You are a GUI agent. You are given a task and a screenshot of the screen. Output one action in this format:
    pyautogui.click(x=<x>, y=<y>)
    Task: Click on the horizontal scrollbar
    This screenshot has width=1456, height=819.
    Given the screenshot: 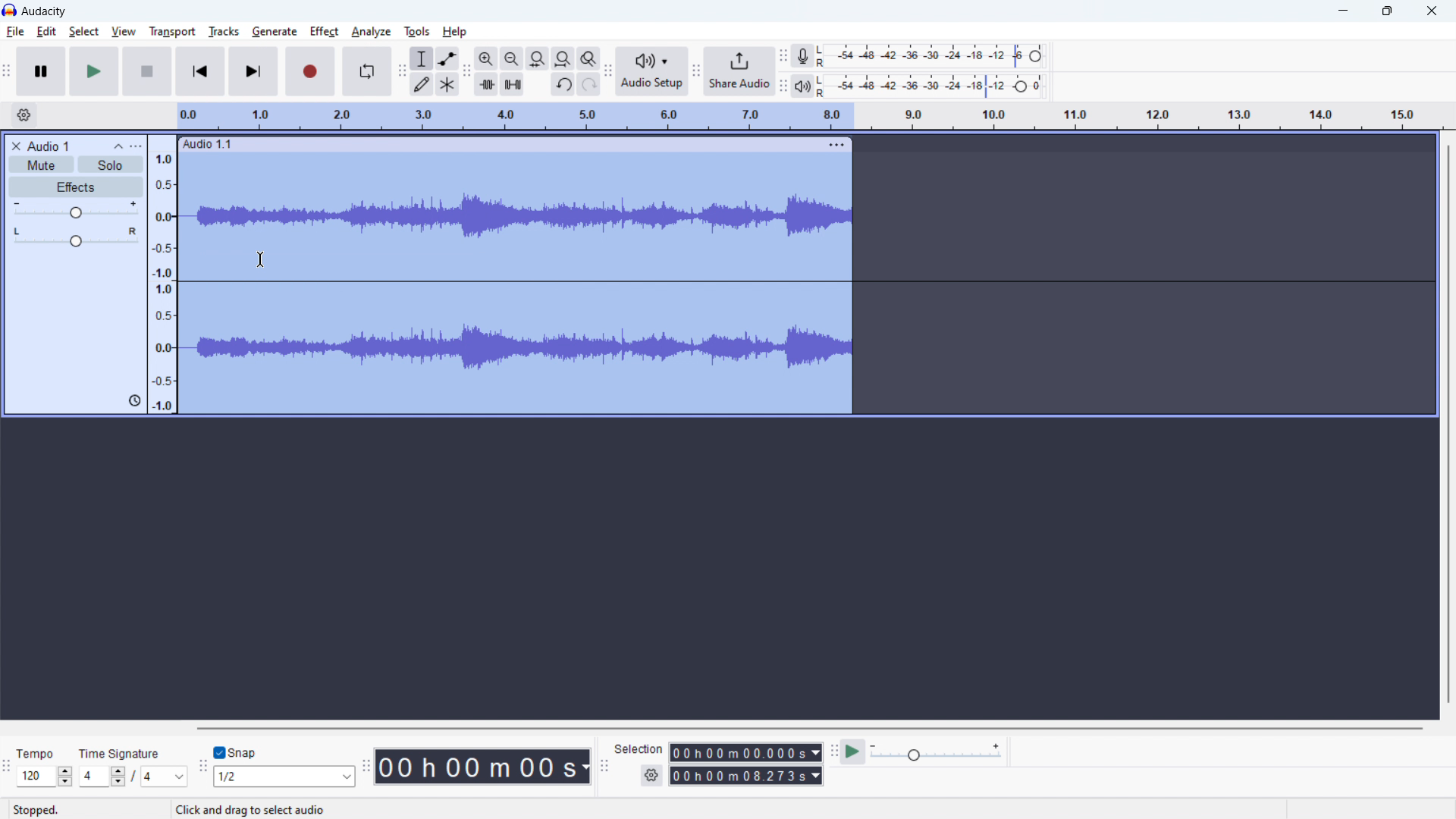 What is the action you would take?
    pyautogui.click(x=808, y=727)
    